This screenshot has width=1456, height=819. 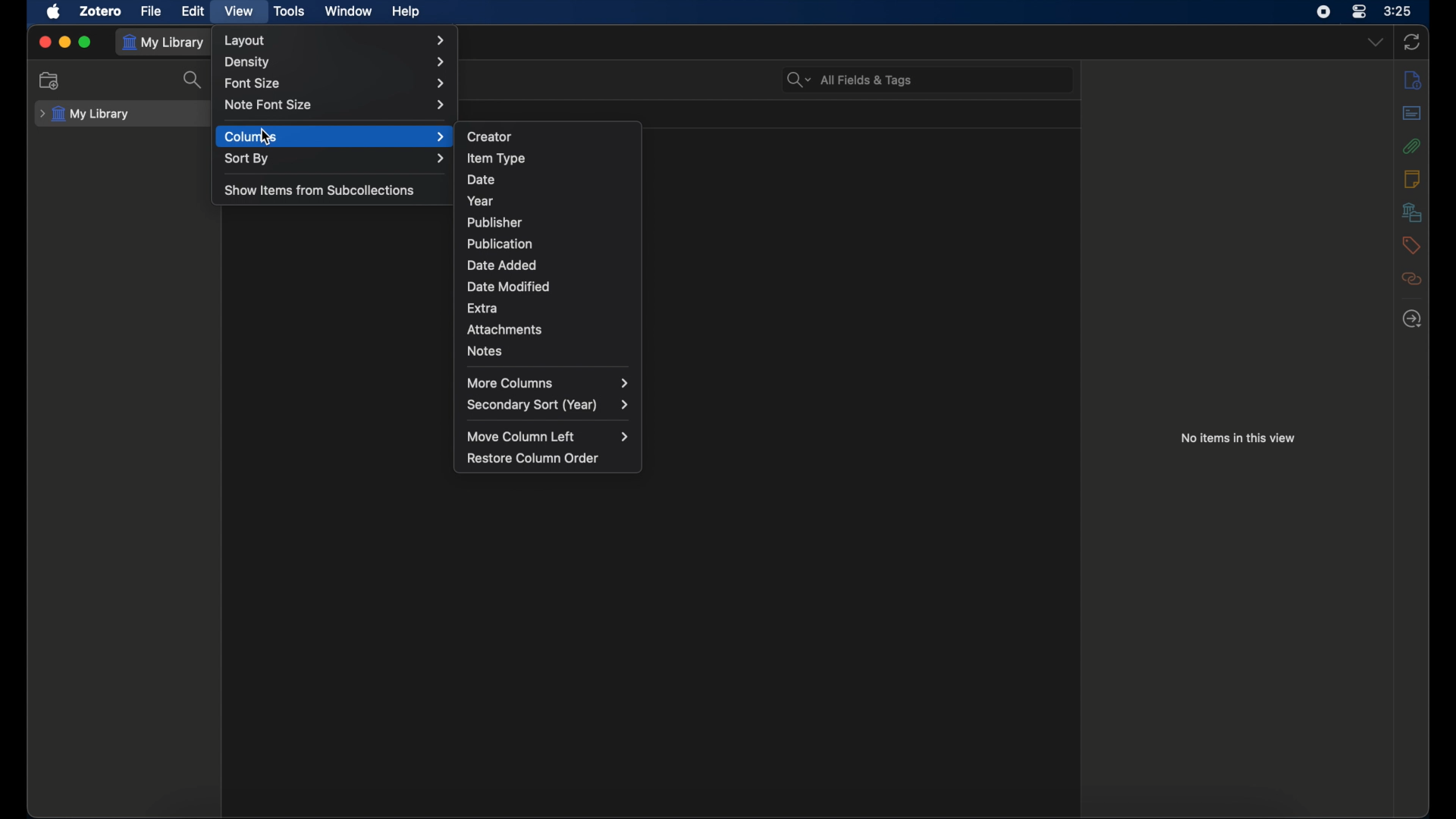 I want to click on Cursor, so click(x=265, y=137).